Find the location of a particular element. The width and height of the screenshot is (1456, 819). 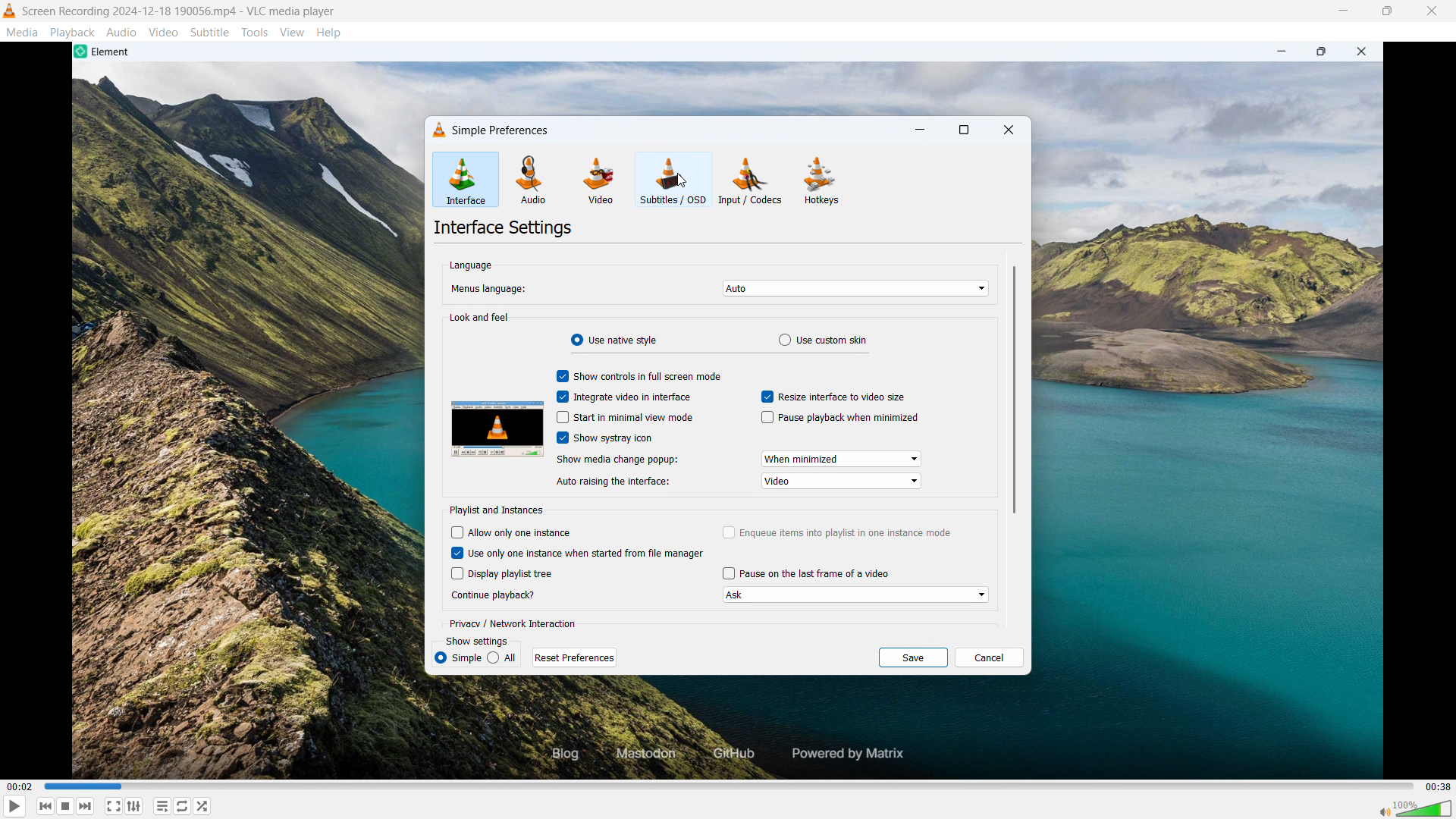

preview is located at coordinates (495, 428).